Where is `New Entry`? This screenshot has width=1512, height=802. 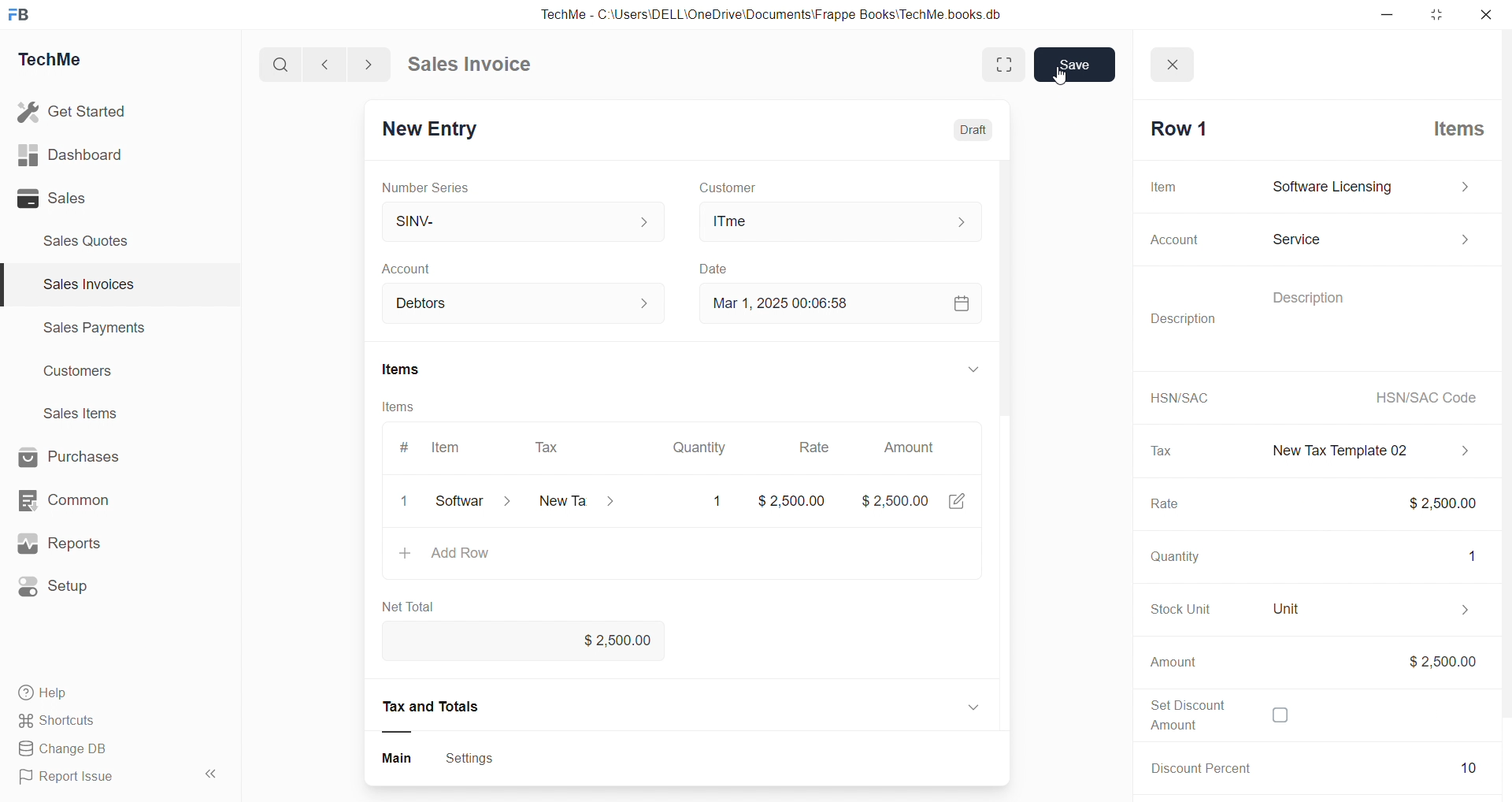
New Entry is located at coordinates (436, 126).